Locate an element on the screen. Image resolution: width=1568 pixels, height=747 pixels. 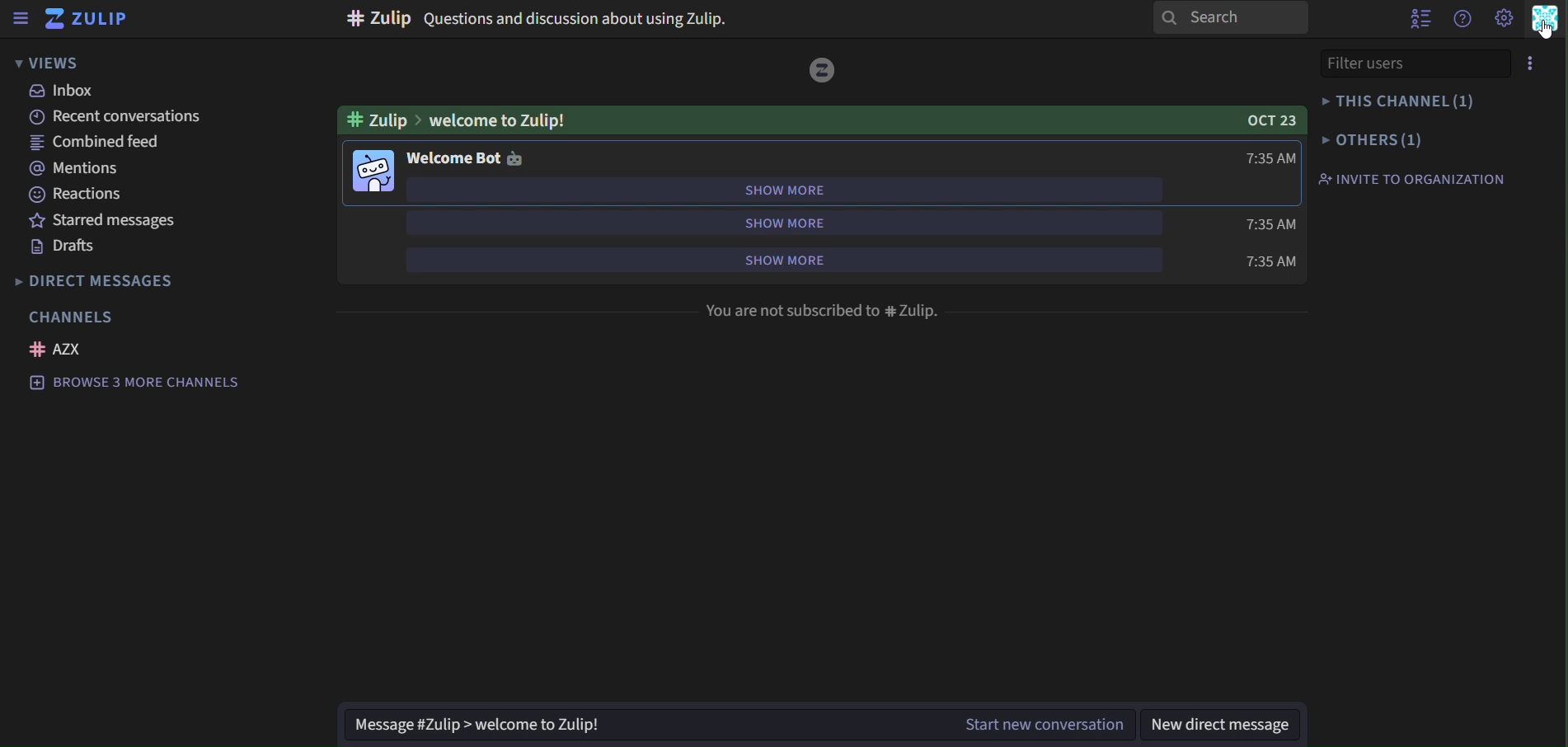
reactions is located at coordinates (80, 195).